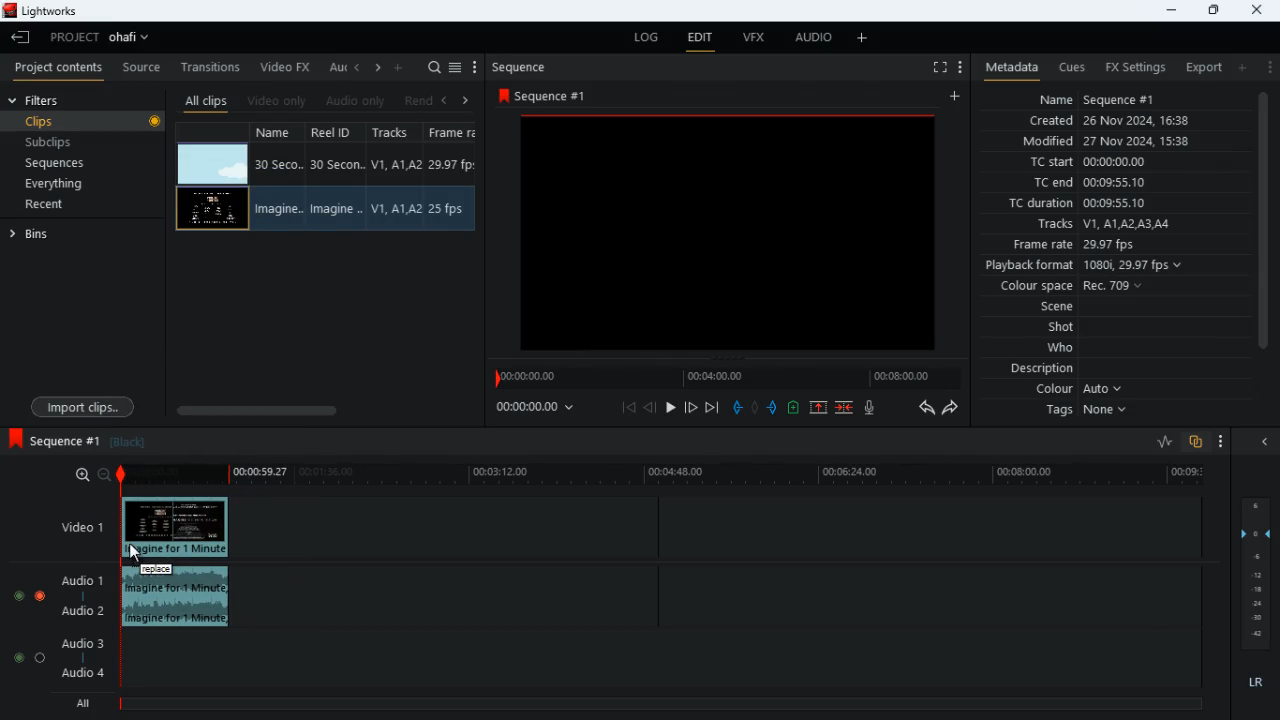 The image size is (1280, 720). Describe the element at coordinates (1055, 327) in the screenshot. I see `shot` at that location.